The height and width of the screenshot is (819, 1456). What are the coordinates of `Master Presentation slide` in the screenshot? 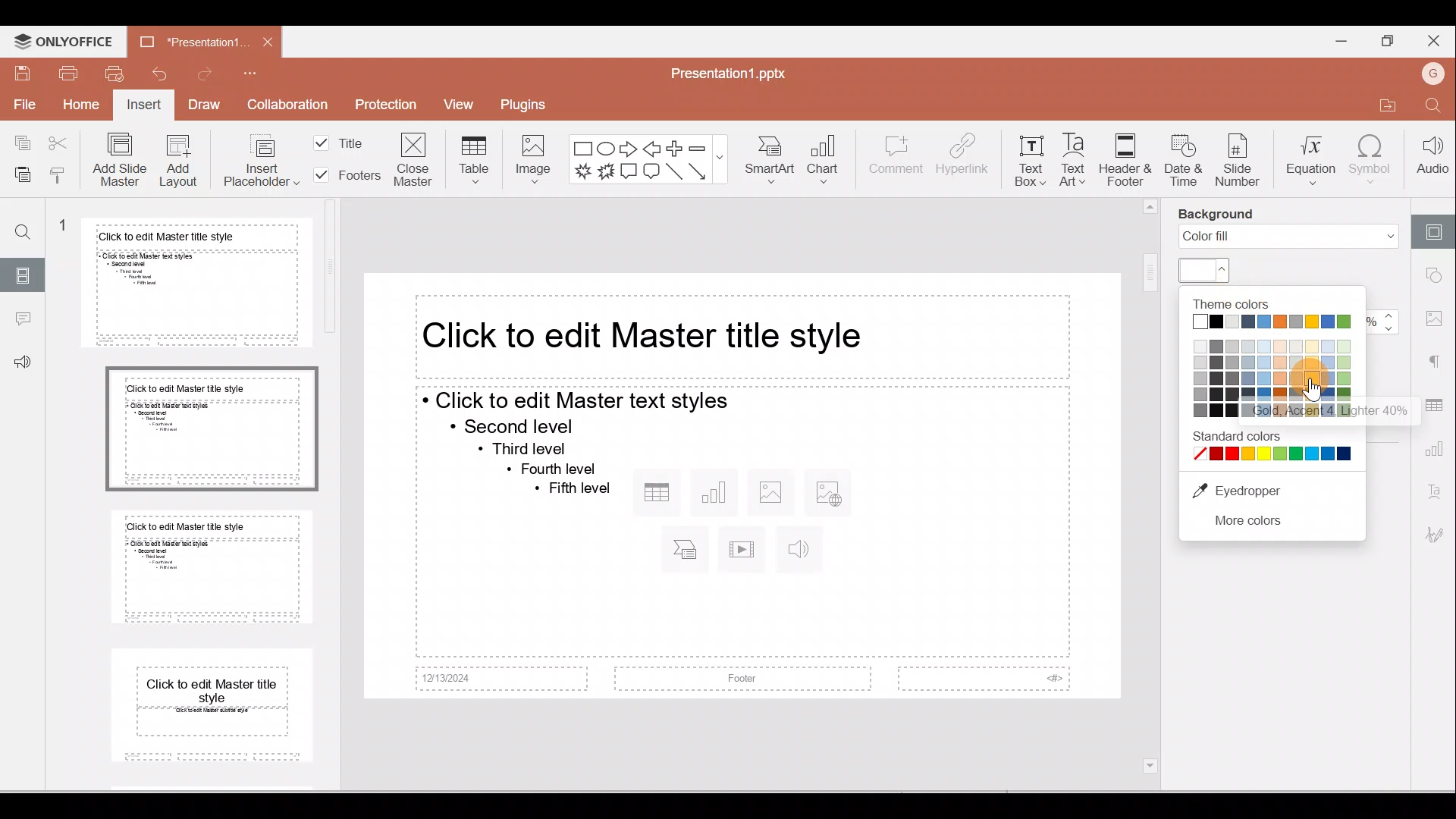 It's located at (742, 488).